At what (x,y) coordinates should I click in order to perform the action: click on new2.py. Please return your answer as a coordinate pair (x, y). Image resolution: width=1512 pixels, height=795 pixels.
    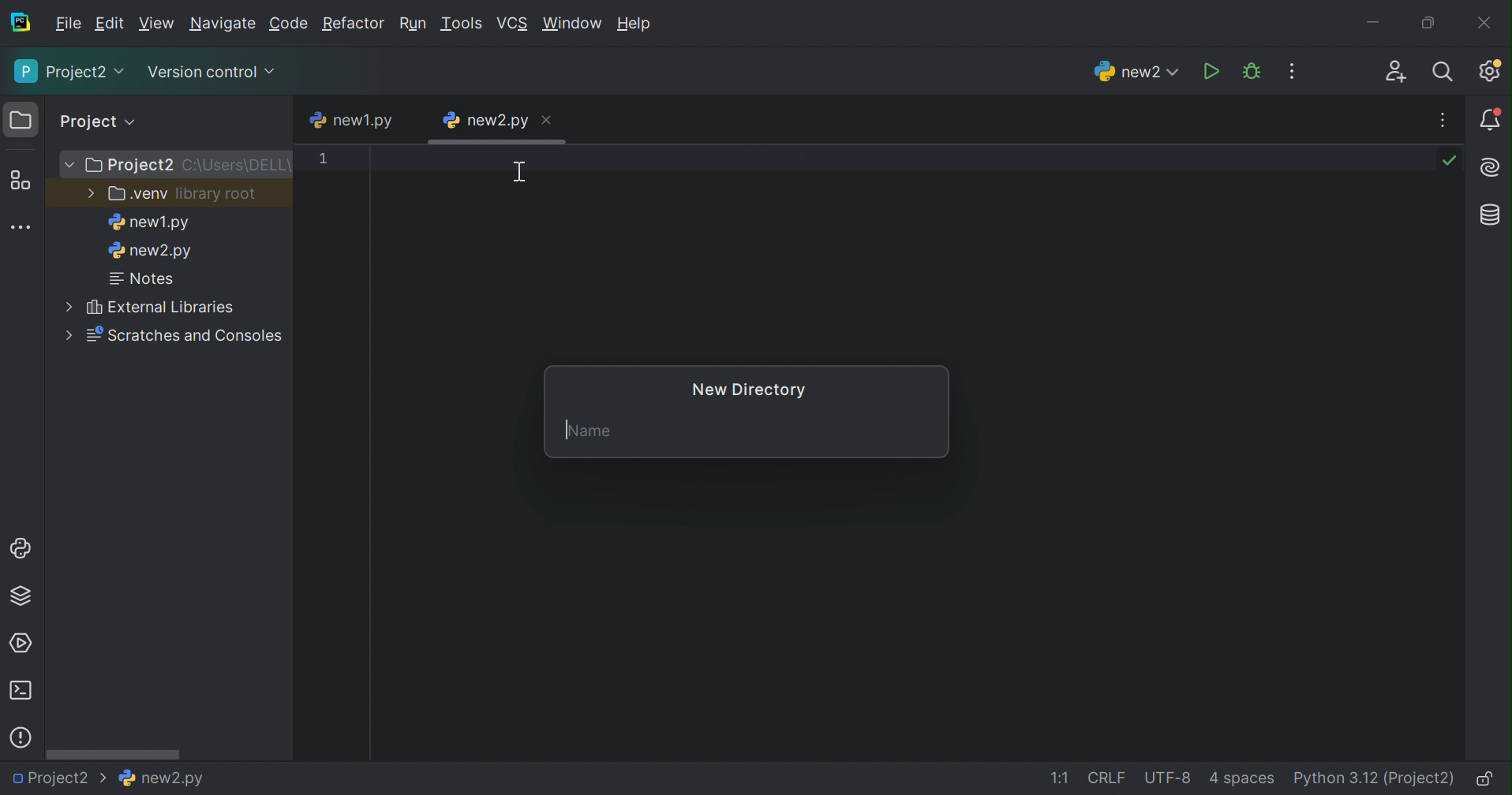
    Looking at the image, I should click on (151, 253).